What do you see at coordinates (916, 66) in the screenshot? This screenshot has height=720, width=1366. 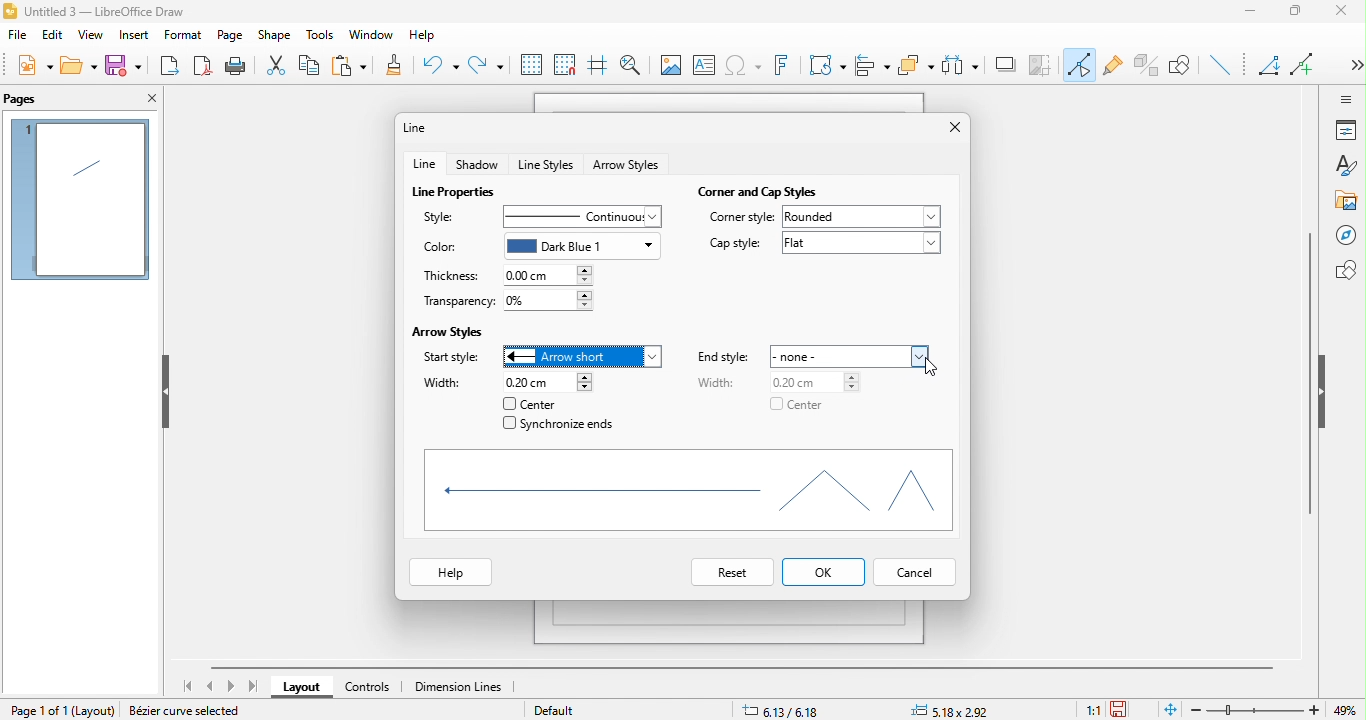 I see `arrange` at bounding box center [916, 66].